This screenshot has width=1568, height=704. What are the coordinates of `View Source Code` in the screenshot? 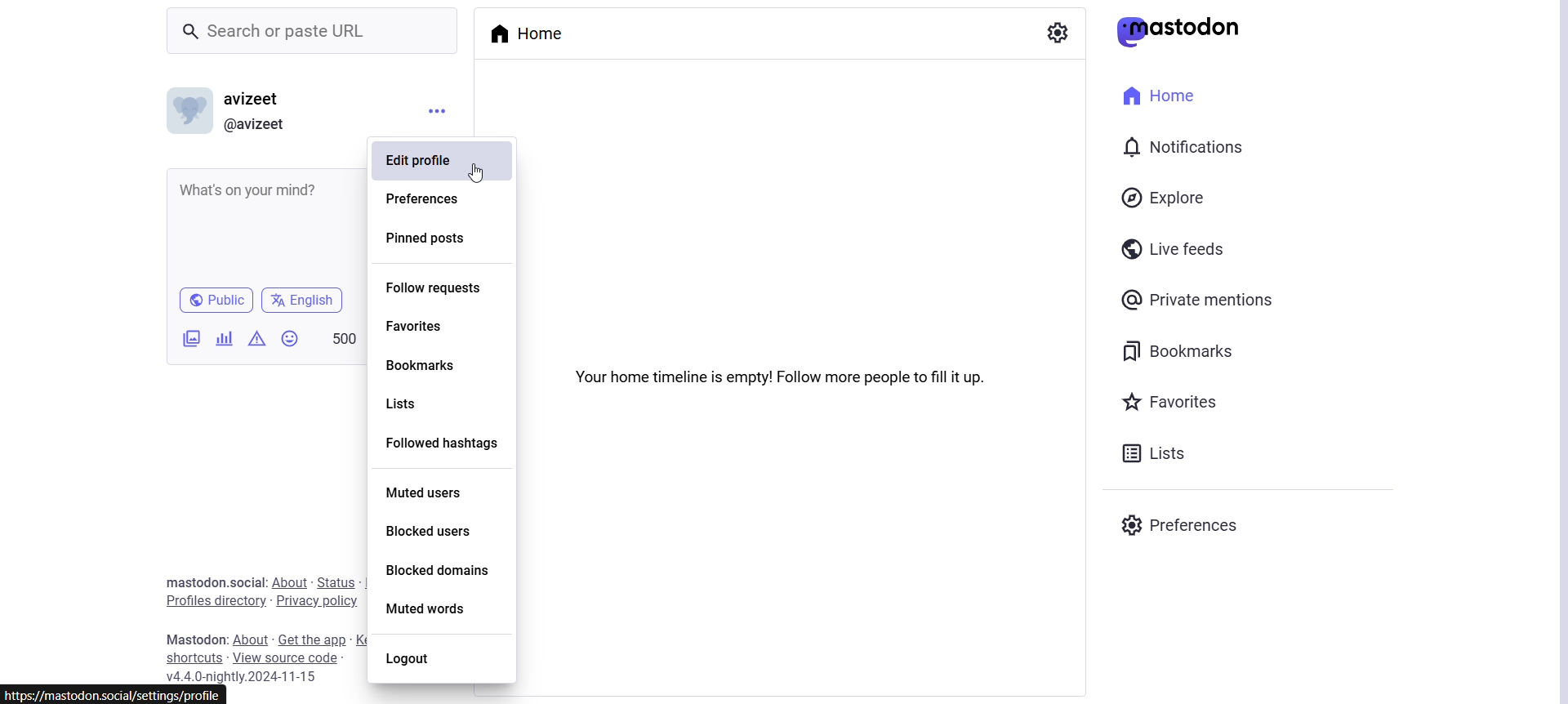 It's located at (294, 659).